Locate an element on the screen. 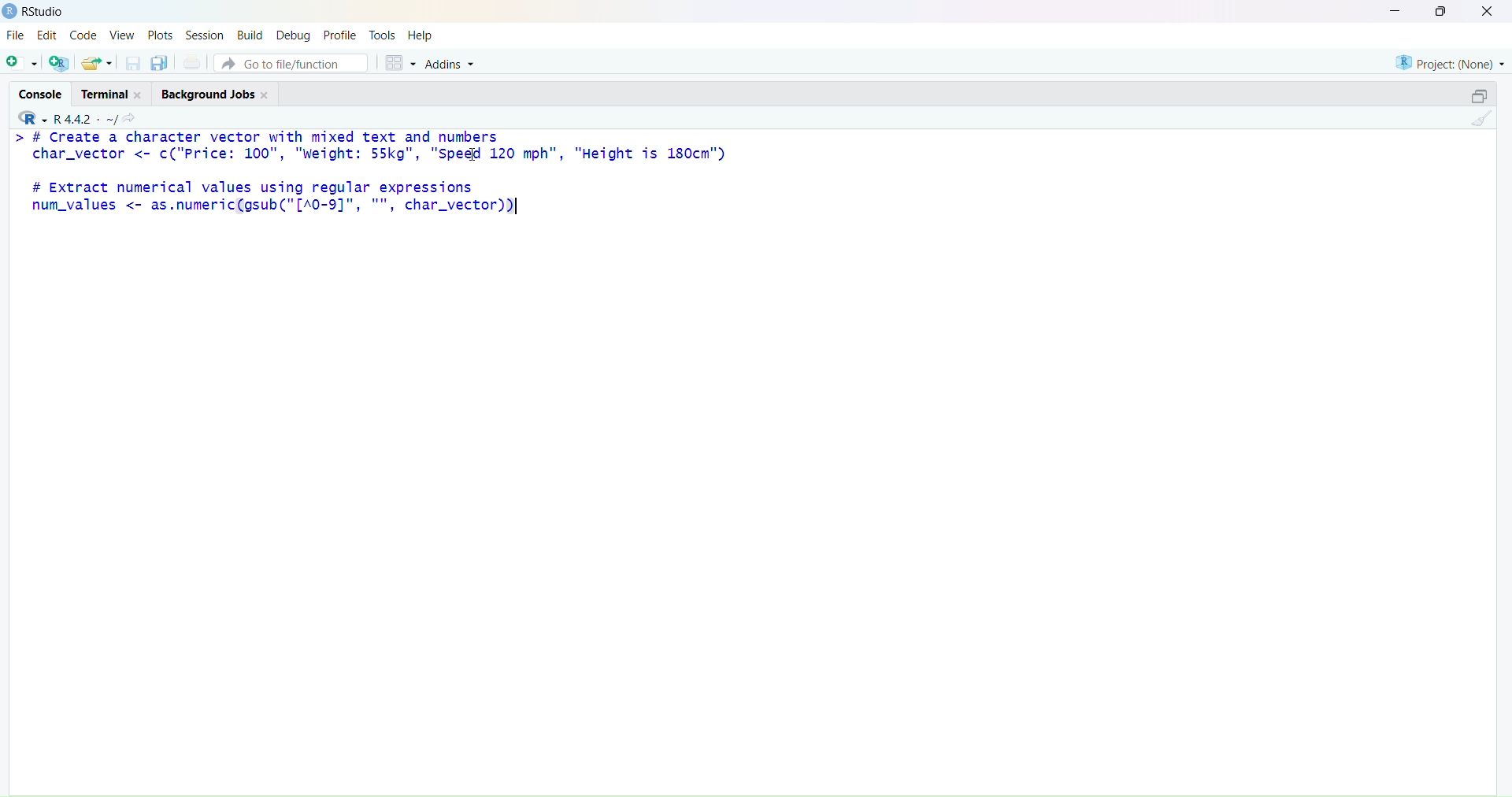 The height and width of the screenshot is (797, 1512). debug is located at coordinates (293, 36).